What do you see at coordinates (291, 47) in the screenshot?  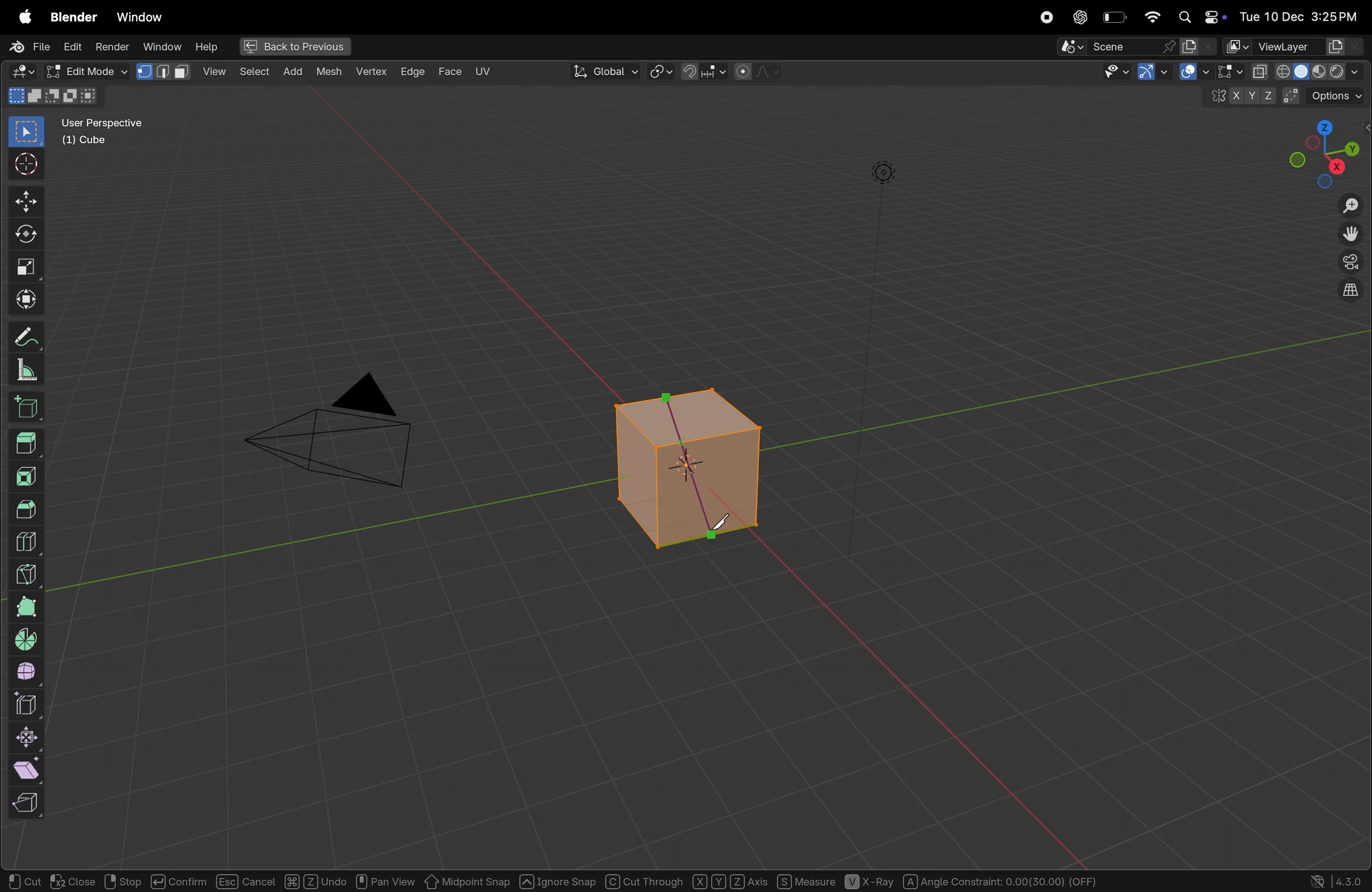 I see `Back to previous` at bounding box center [291, 47].